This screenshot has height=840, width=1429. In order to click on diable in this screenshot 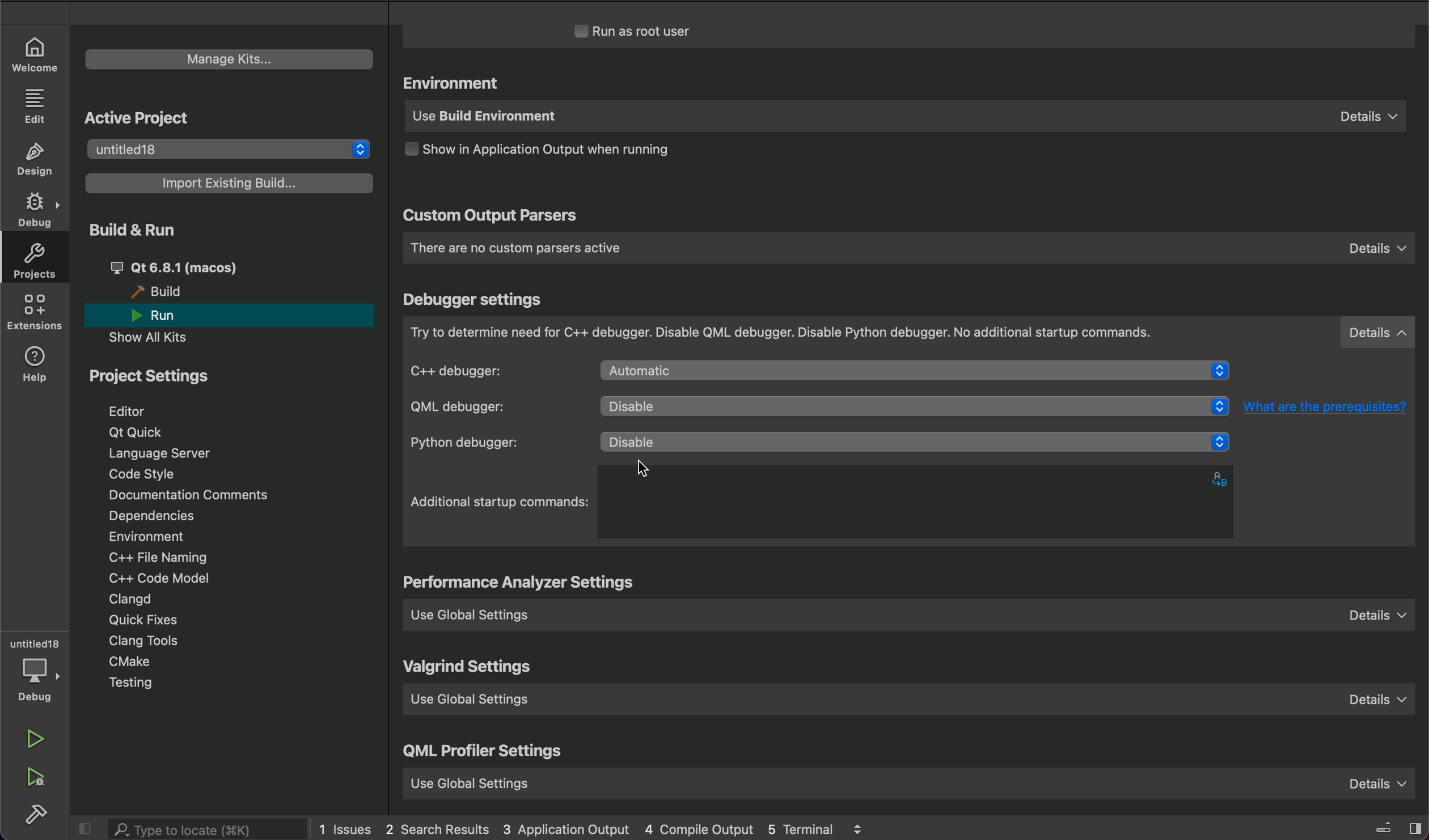, I will do `click(916, 372)`.